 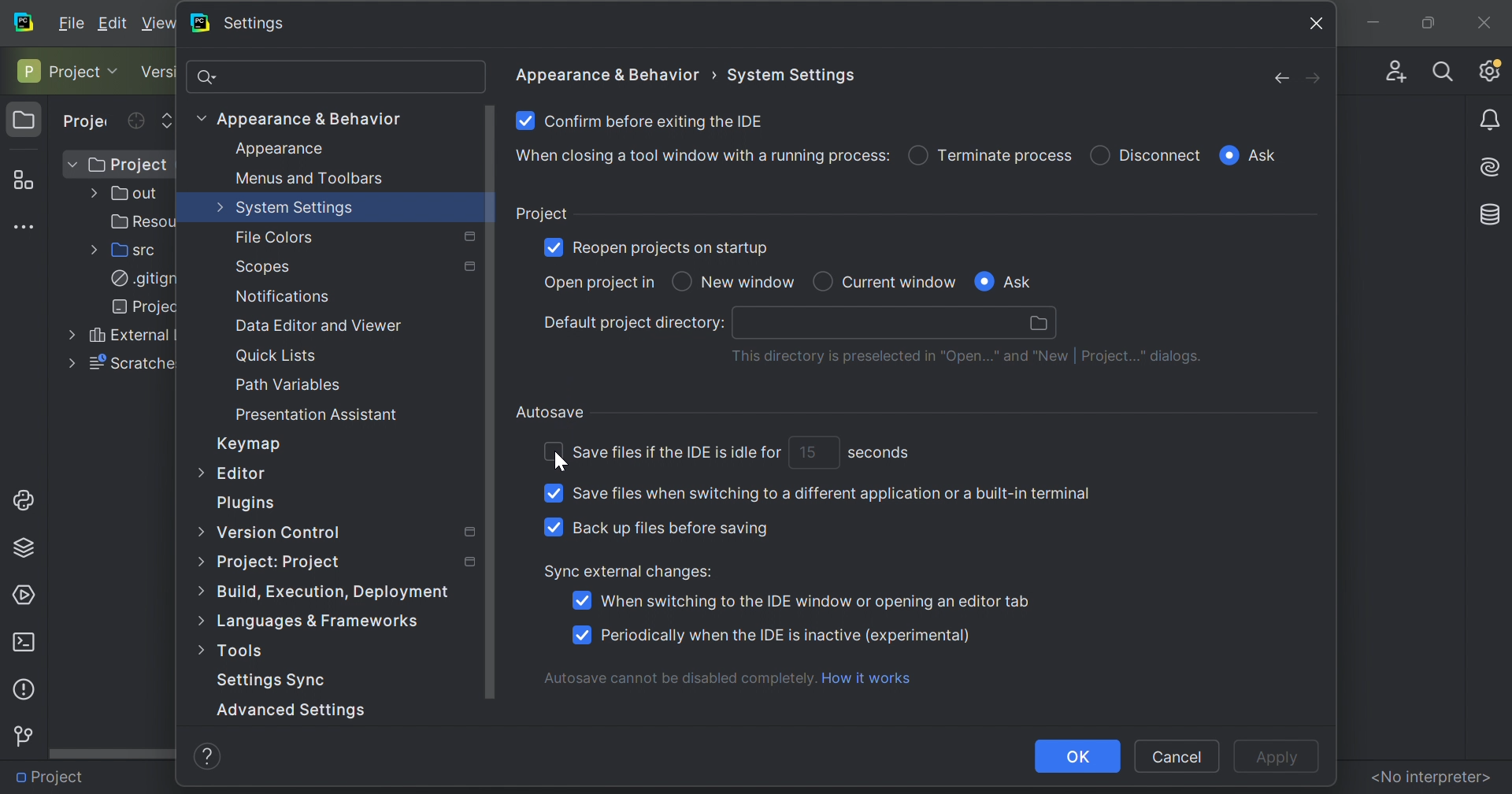 What do you see at coordinates (91, 250) in the screenshot?
I see `More` at bounding box center [91, 250].